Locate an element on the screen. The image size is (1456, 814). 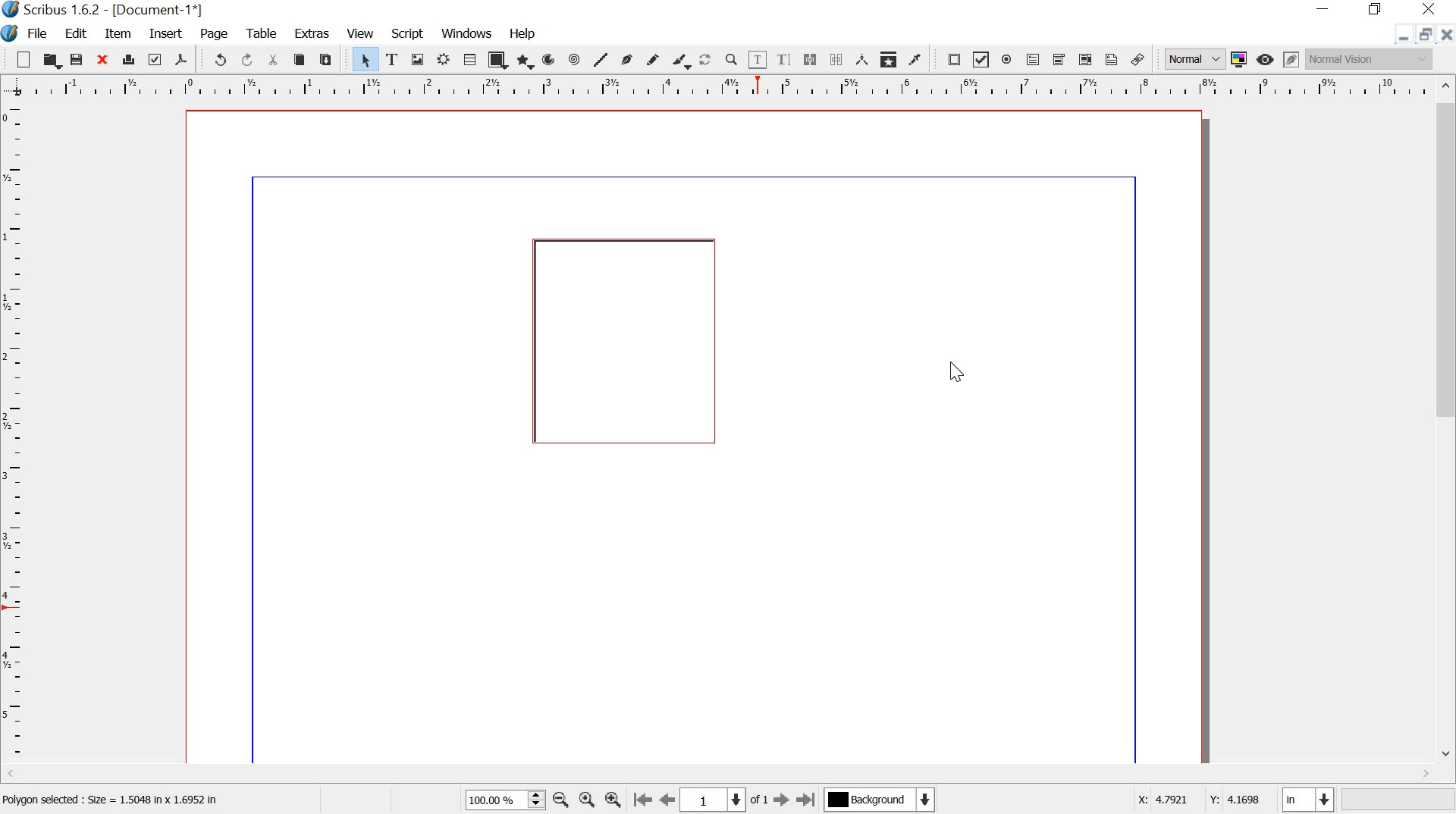
windows is located at coordinates (467, 33).